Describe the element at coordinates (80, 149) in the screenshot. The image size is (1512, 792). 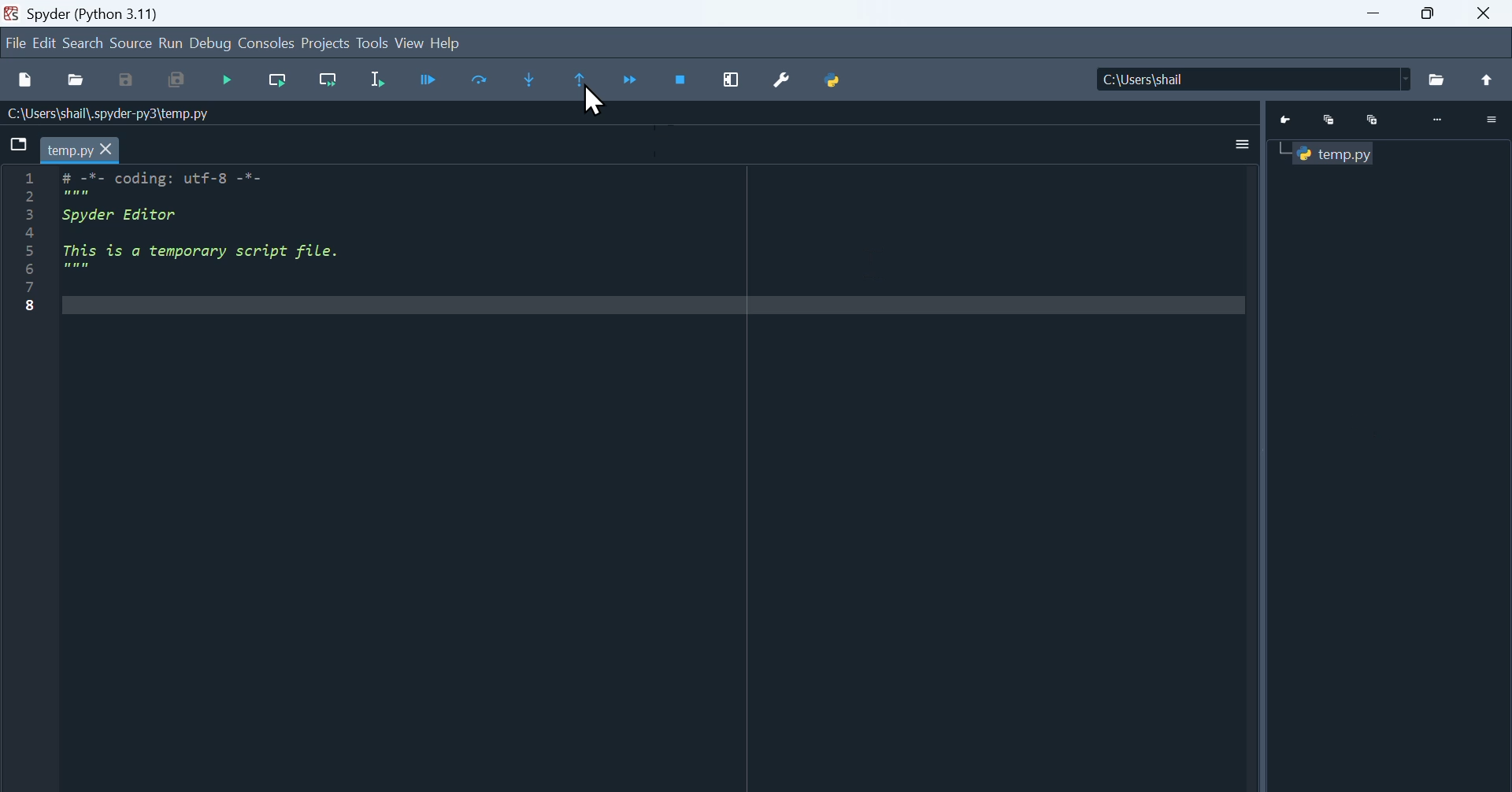
I see `temp.py` at that location.